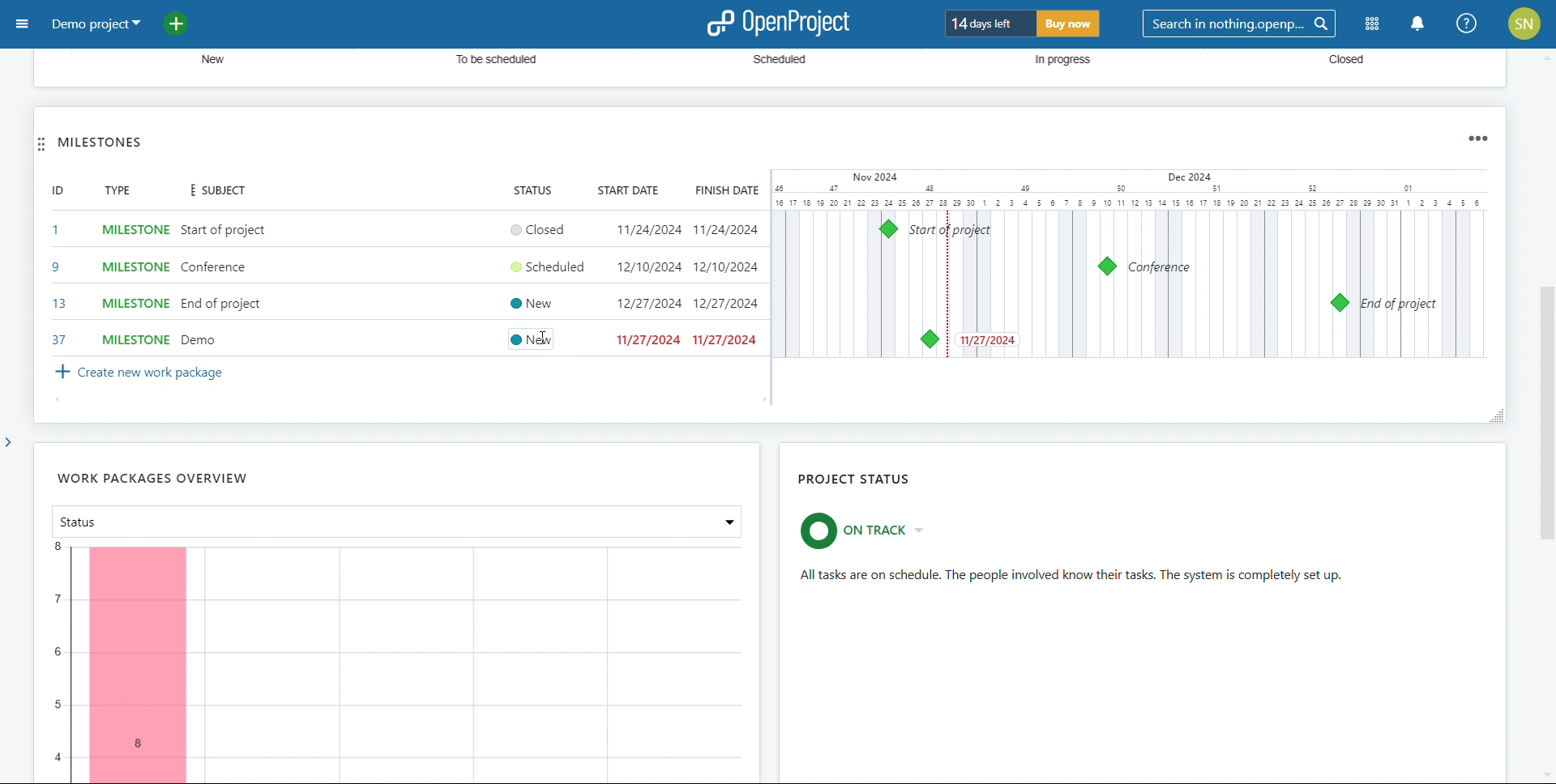  Describe the element at coordinates (1069, 24) in the screenshot. I see `buy now` at that location.